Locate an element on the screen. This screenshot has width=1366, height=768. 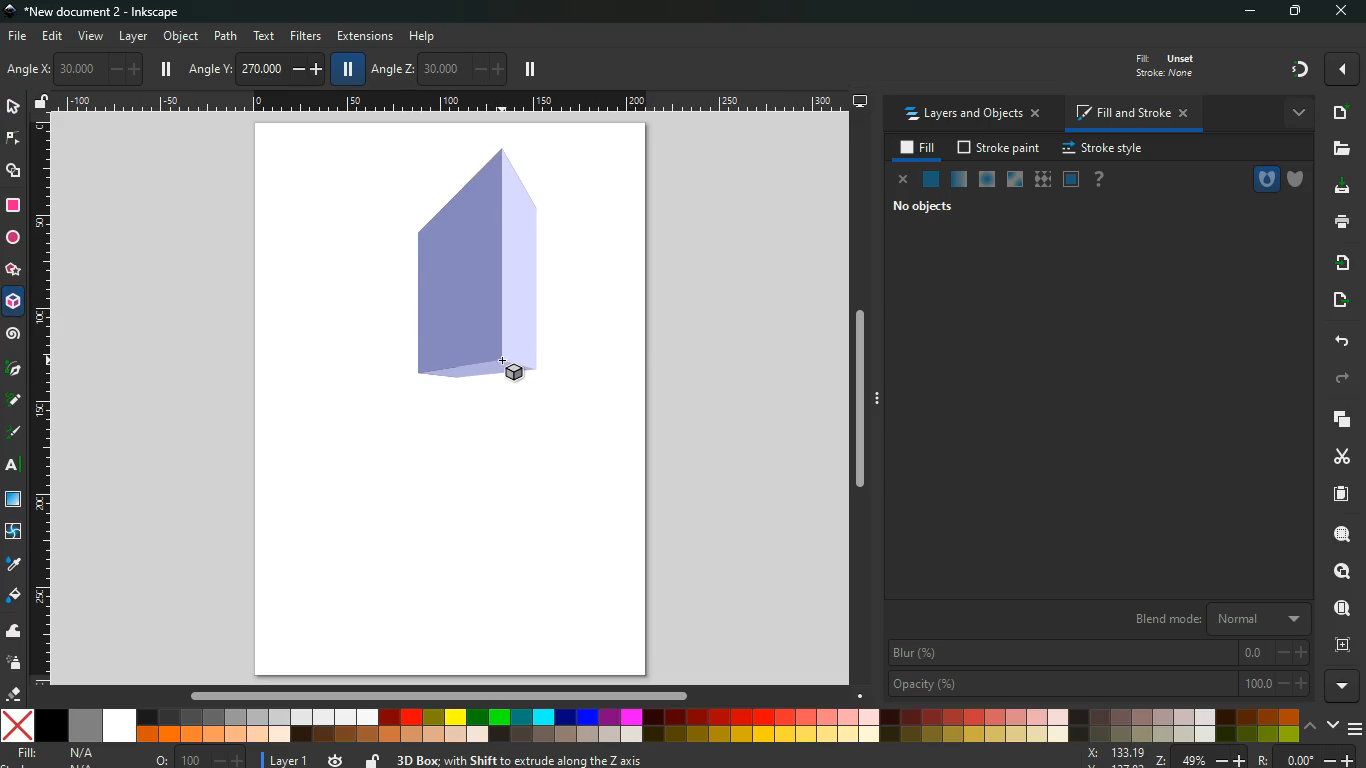
pause is located at coordinates (166, 69).